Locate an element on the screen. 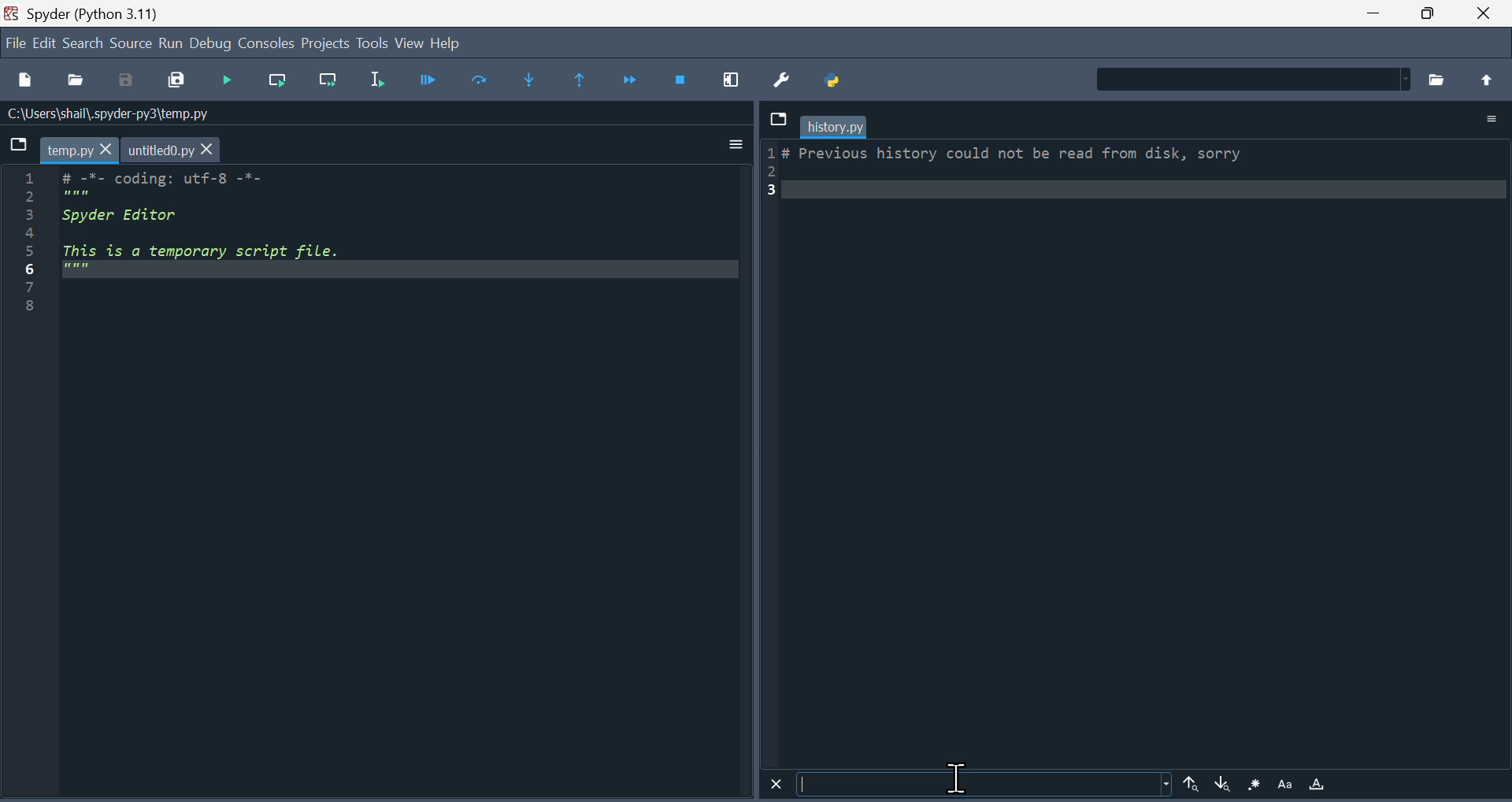 This screenshot has width=1512, height=802. run is located at coordinates (170, 42).